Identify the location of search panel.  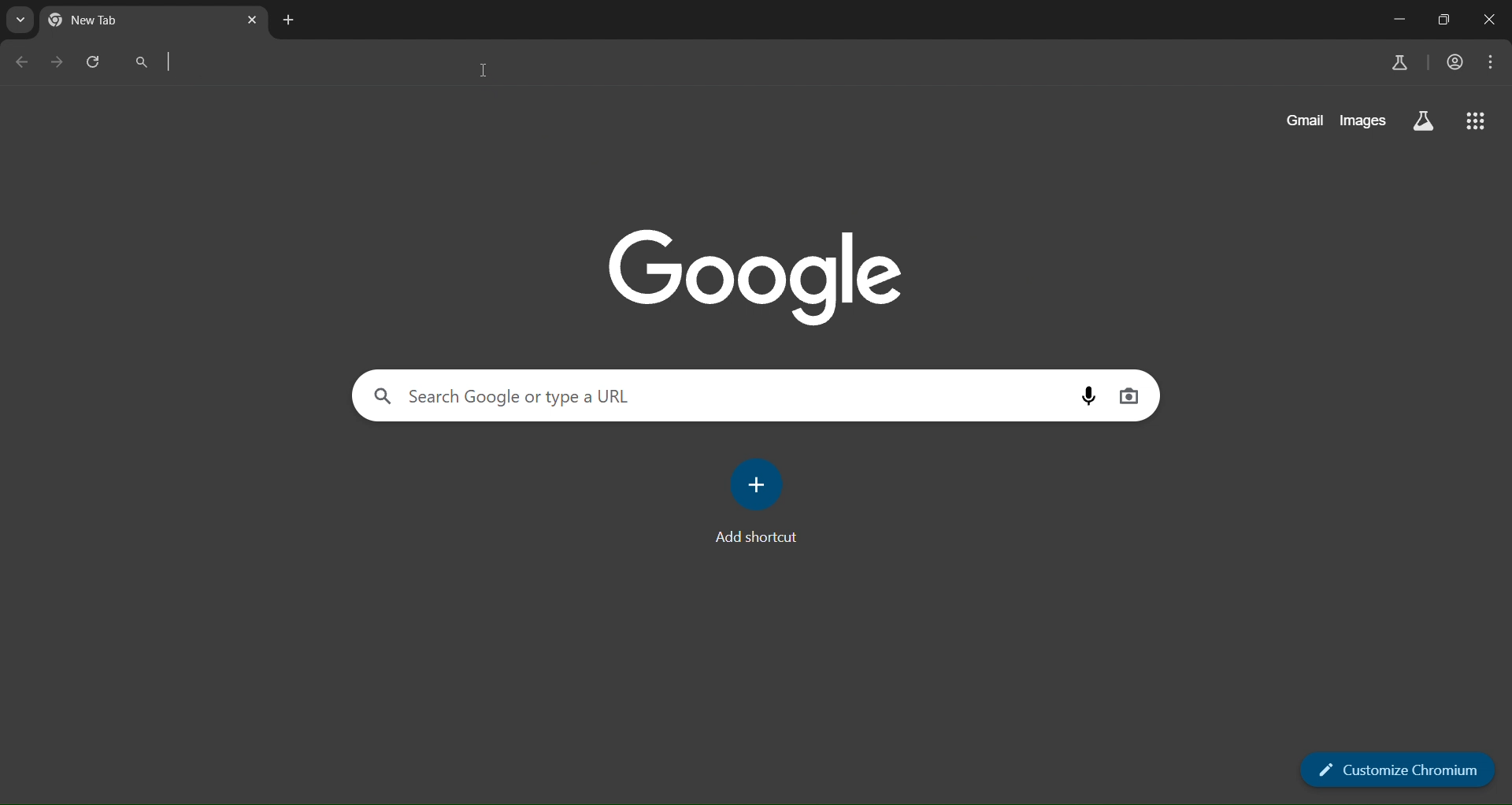
(496, 397).